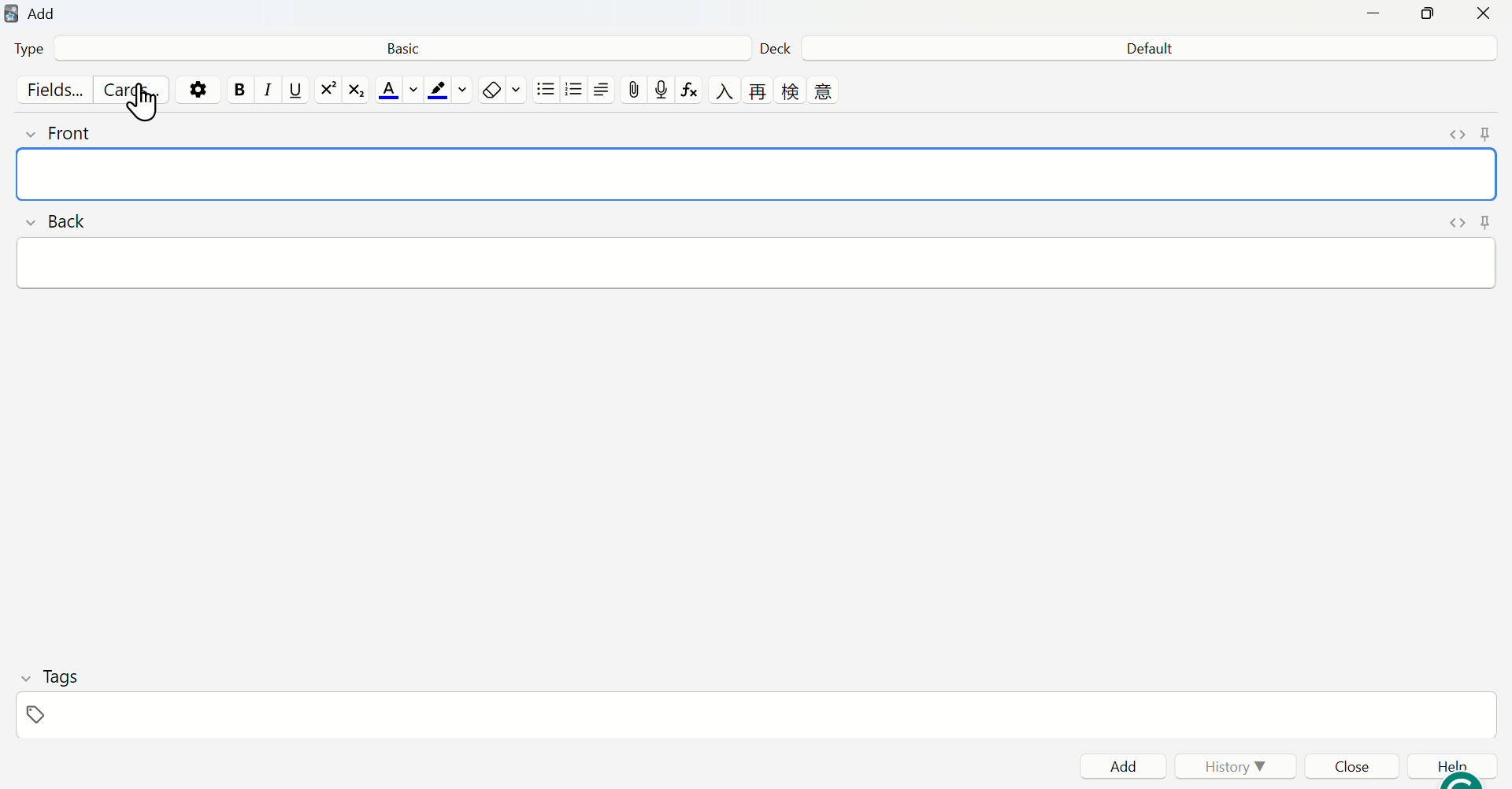 Image resolution: width=1512 pixels, height=789 pixels. I want to click on Equations, so click(693, 91).